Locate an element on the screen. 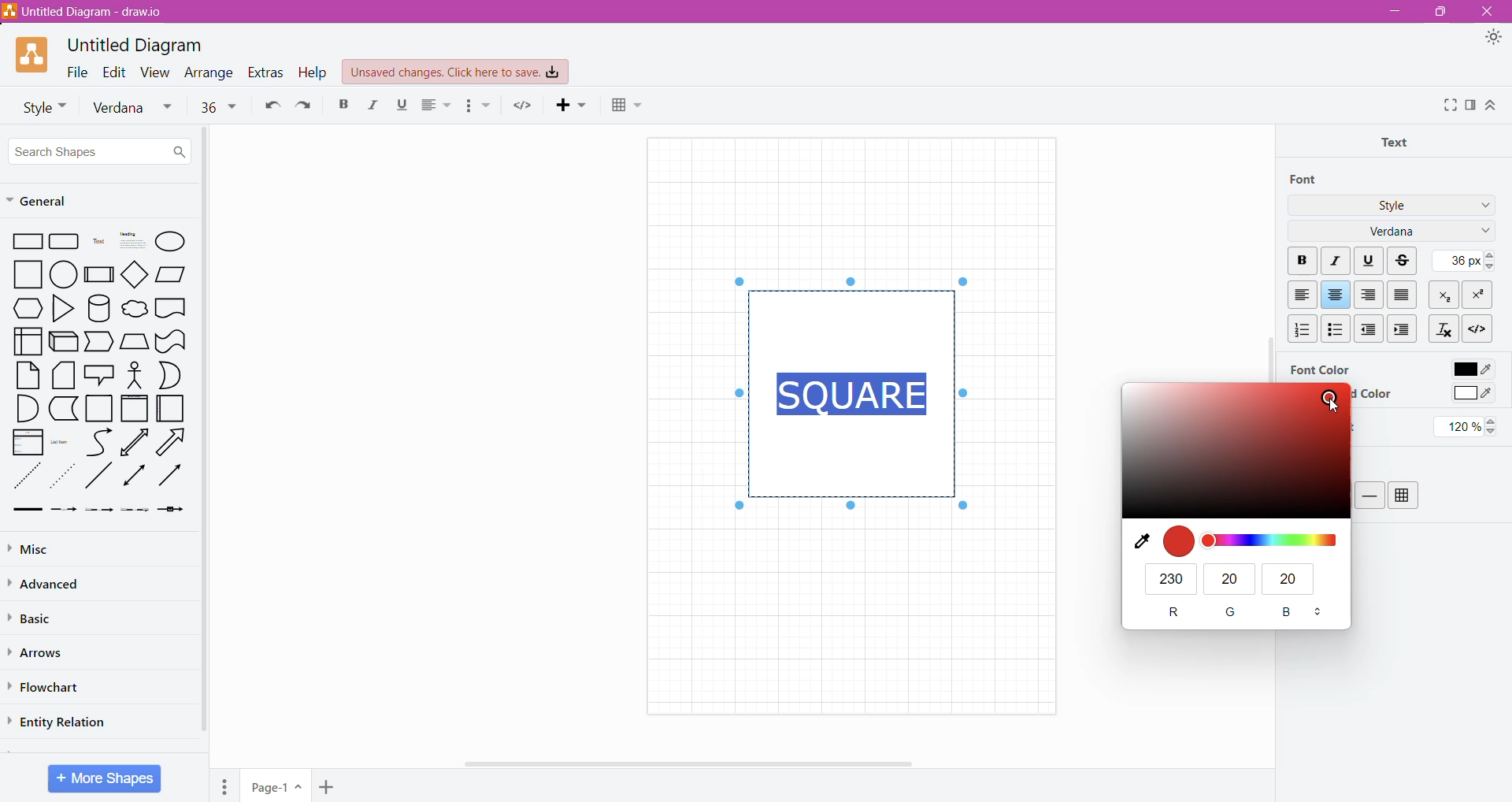  Manual Input is located at coordinates (134, 342).